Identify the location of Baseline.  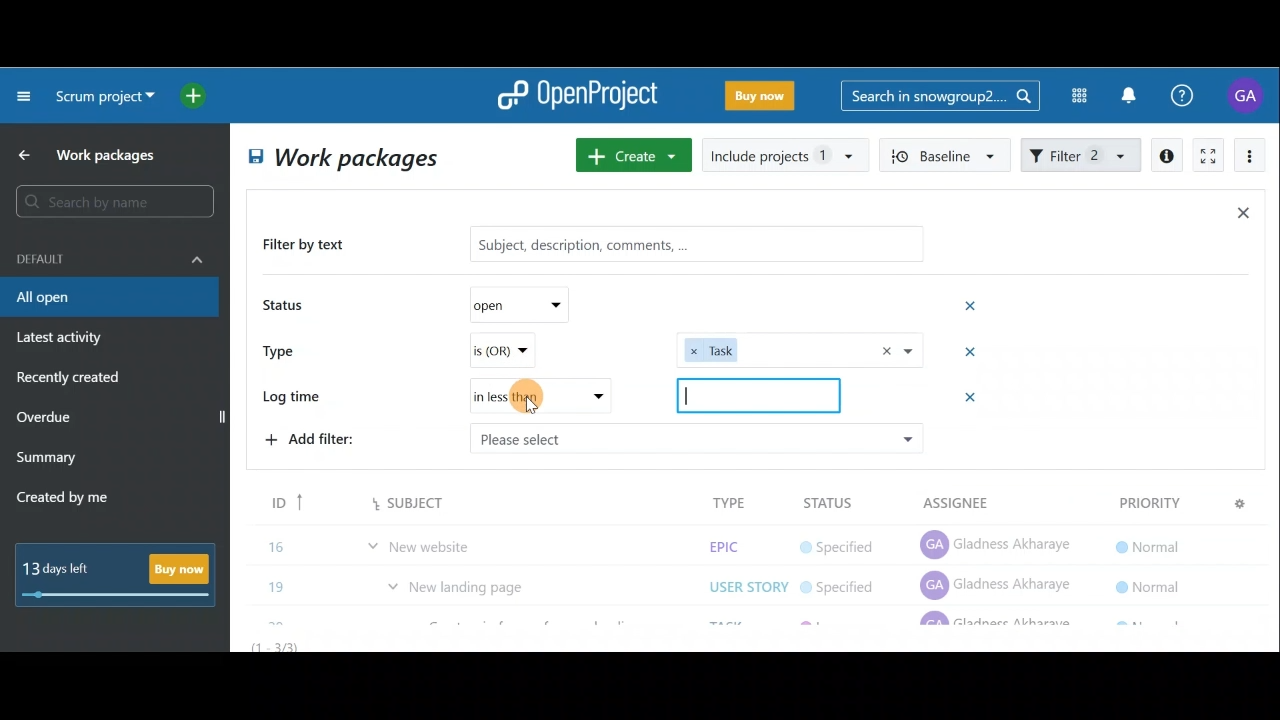
(946, 154).